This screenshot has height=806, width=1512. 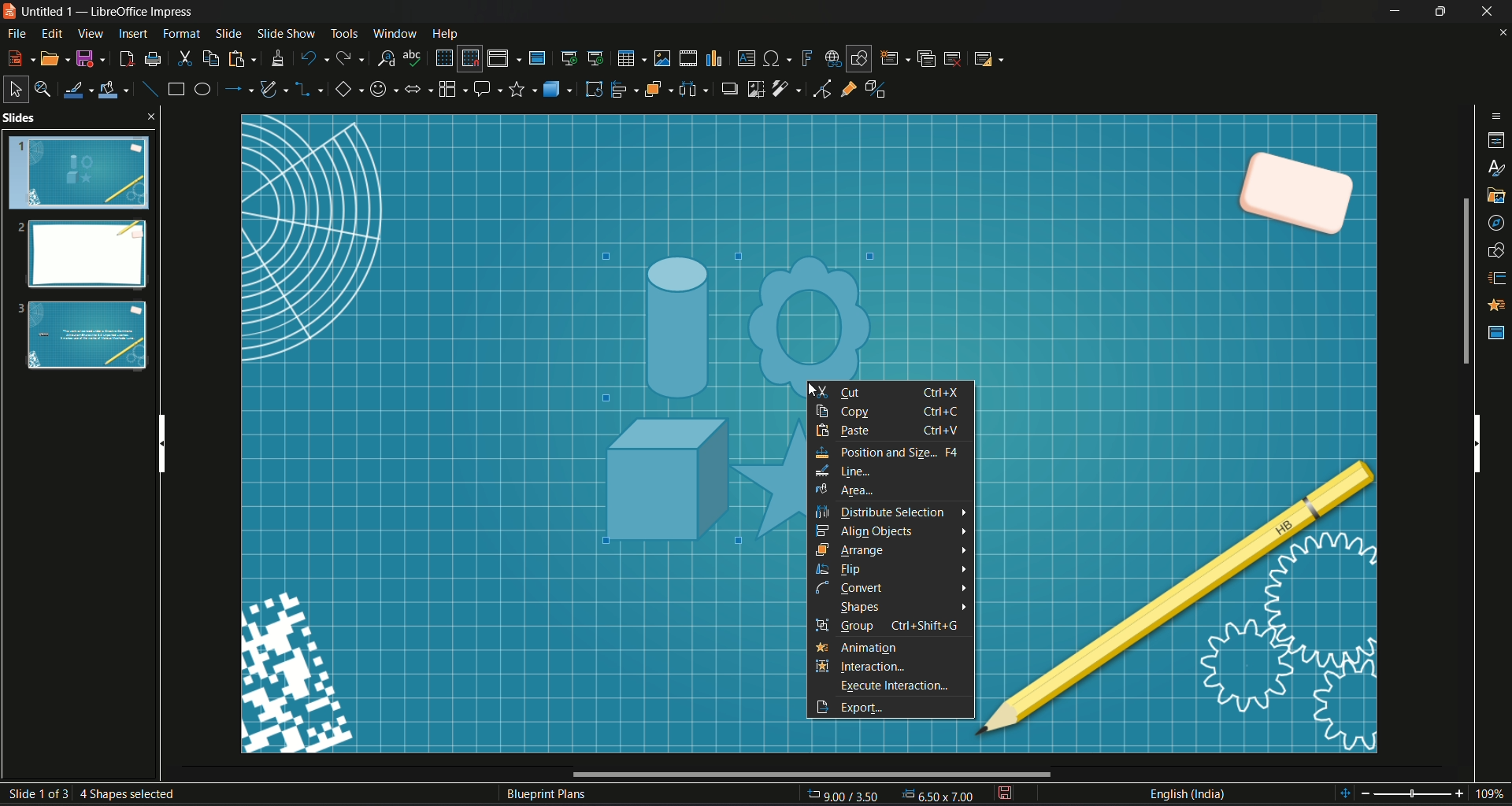 What do you see at coordinates (1439, 11) in the screenshot?
I see `Minimize/Maximize` at bounding box center [1439, 11].